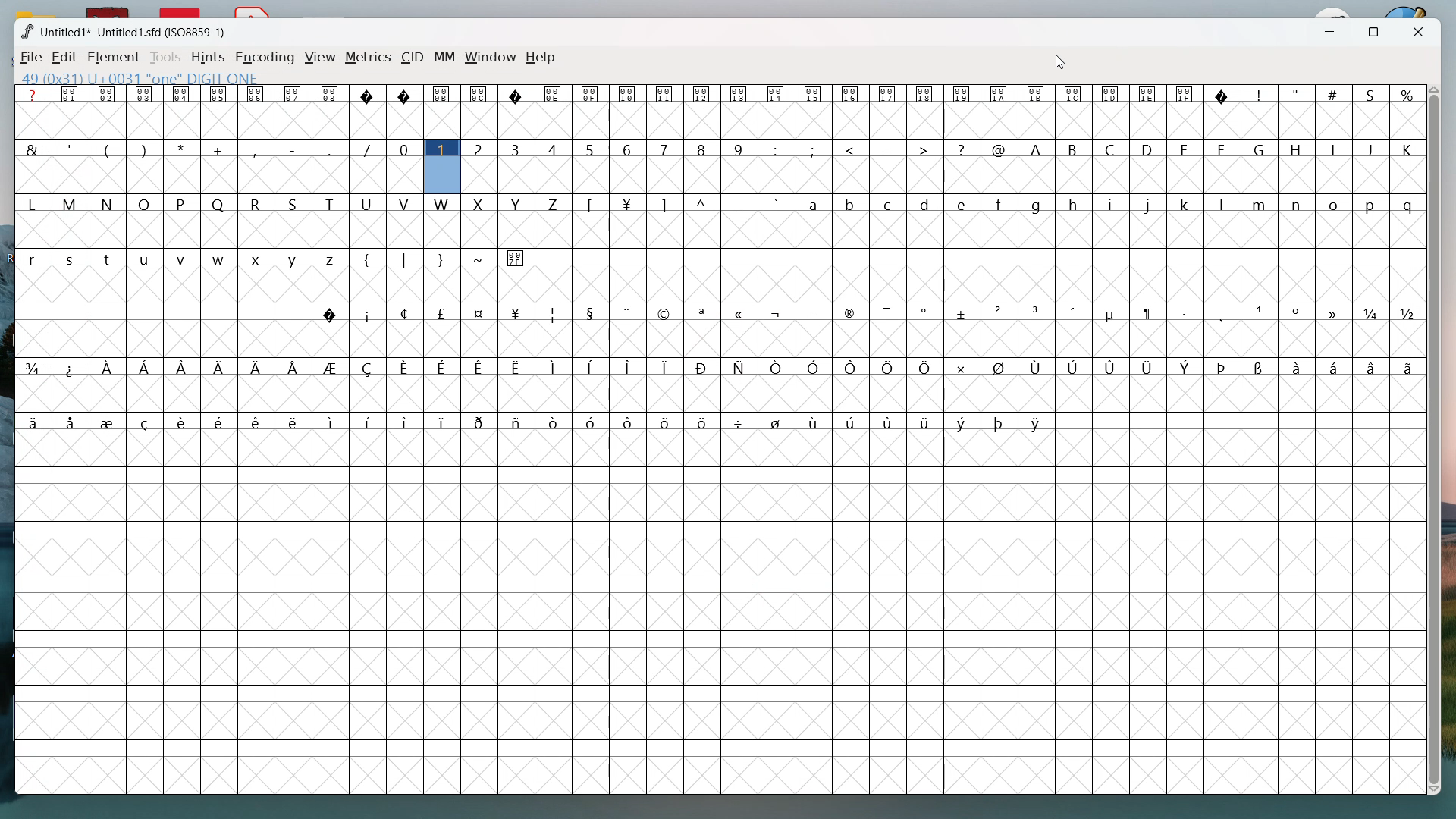 Image resolution: width=1456 pixels, height=819 pixels. What do you see at coordinates (1000, 148) in the screenshot?
I see `@` at bounding box center [1000, 148].